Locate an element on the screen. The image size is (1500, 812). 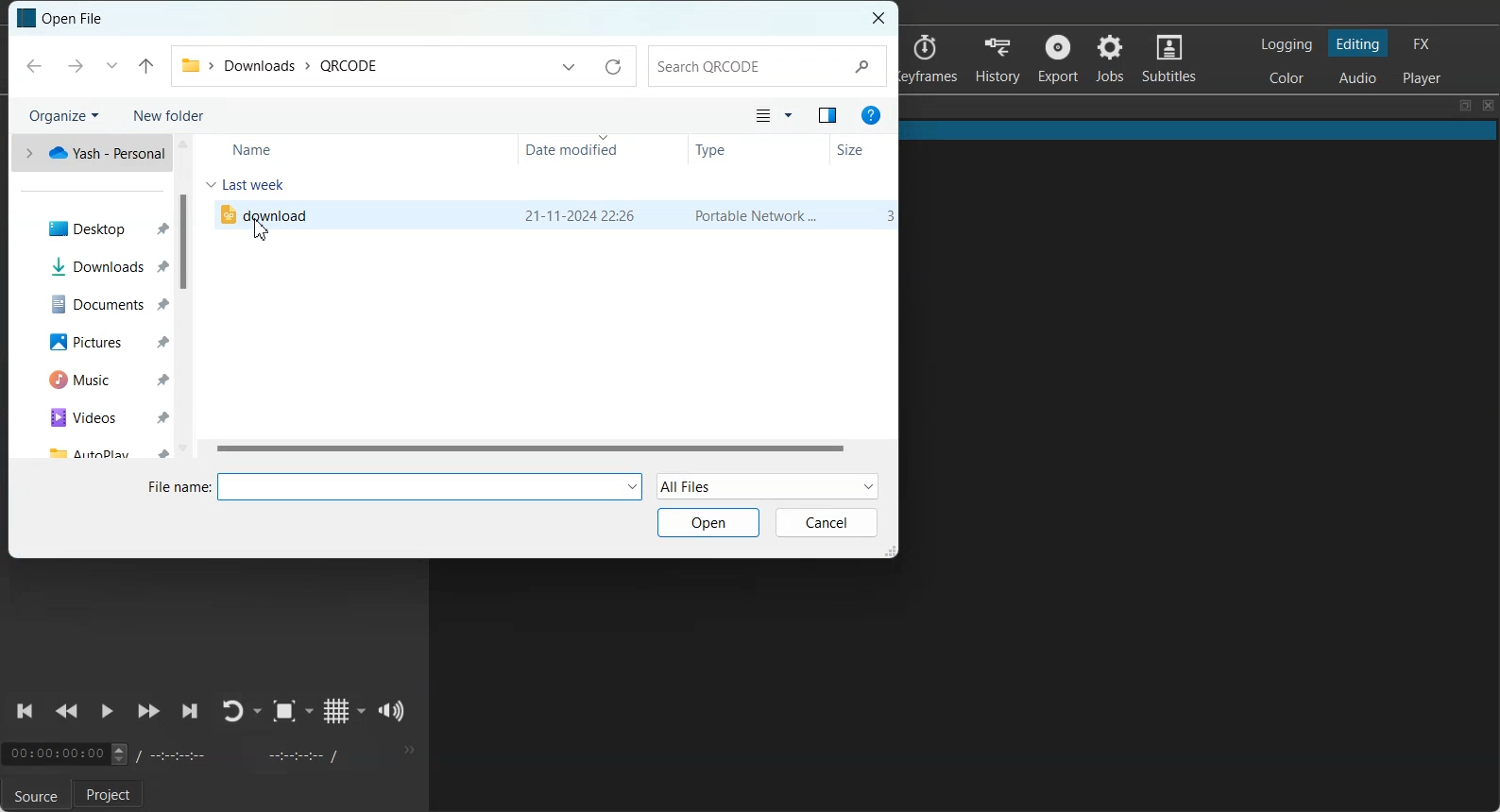
Export is located at coordinates (1057, 58).